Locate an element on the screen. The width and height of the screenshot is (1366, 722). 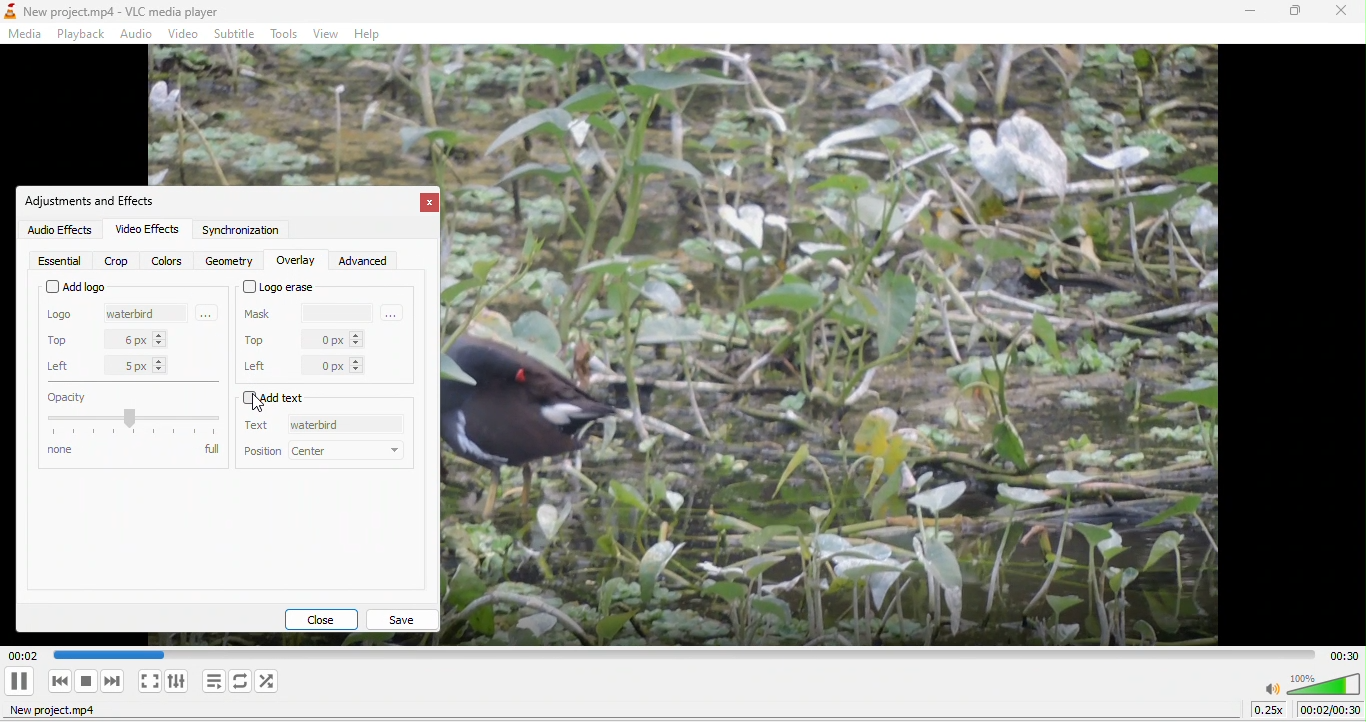
close is located at coordinates (424, 204).